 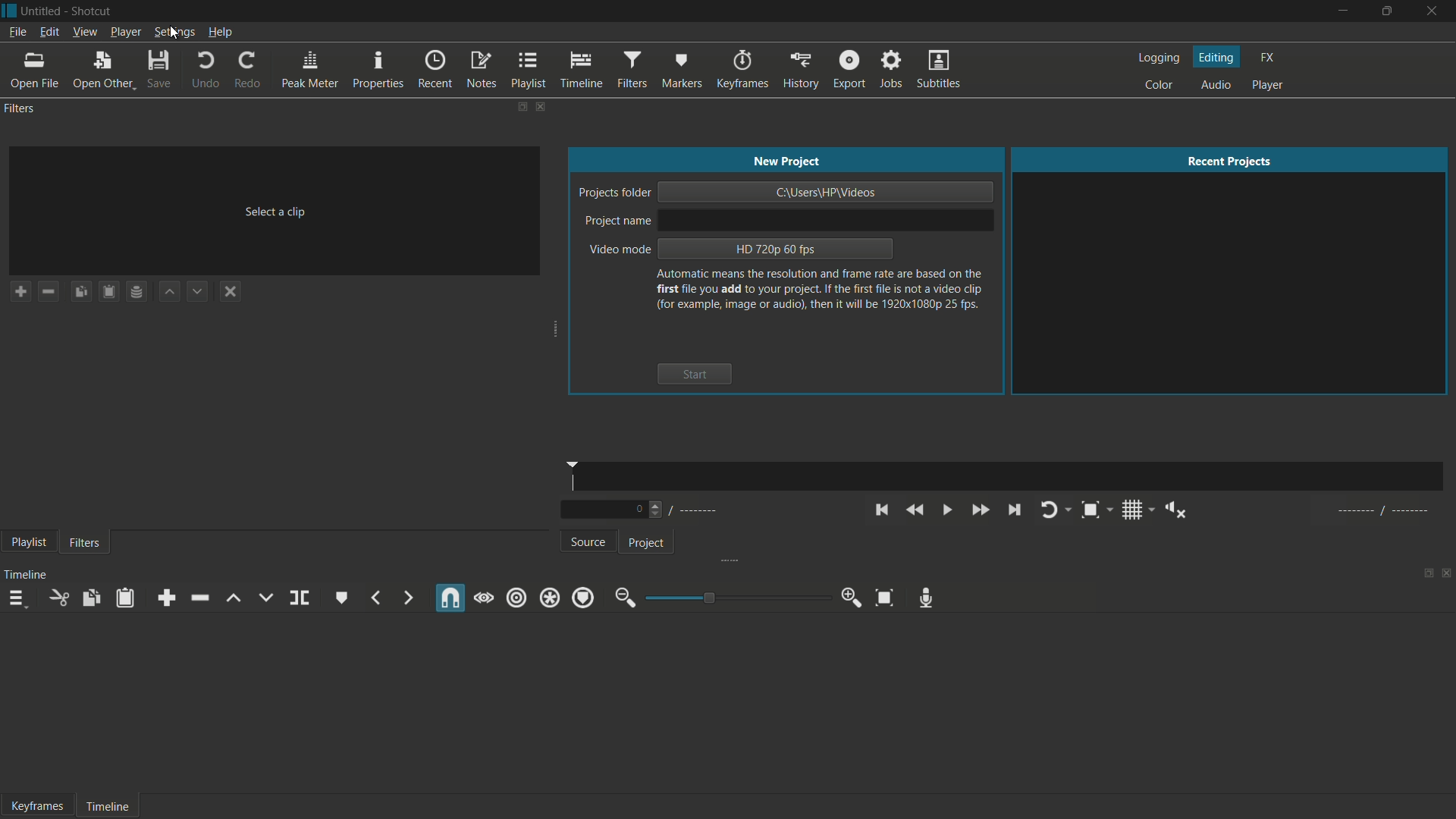 I want to click on show volume control, so click(x=1178, y=510).